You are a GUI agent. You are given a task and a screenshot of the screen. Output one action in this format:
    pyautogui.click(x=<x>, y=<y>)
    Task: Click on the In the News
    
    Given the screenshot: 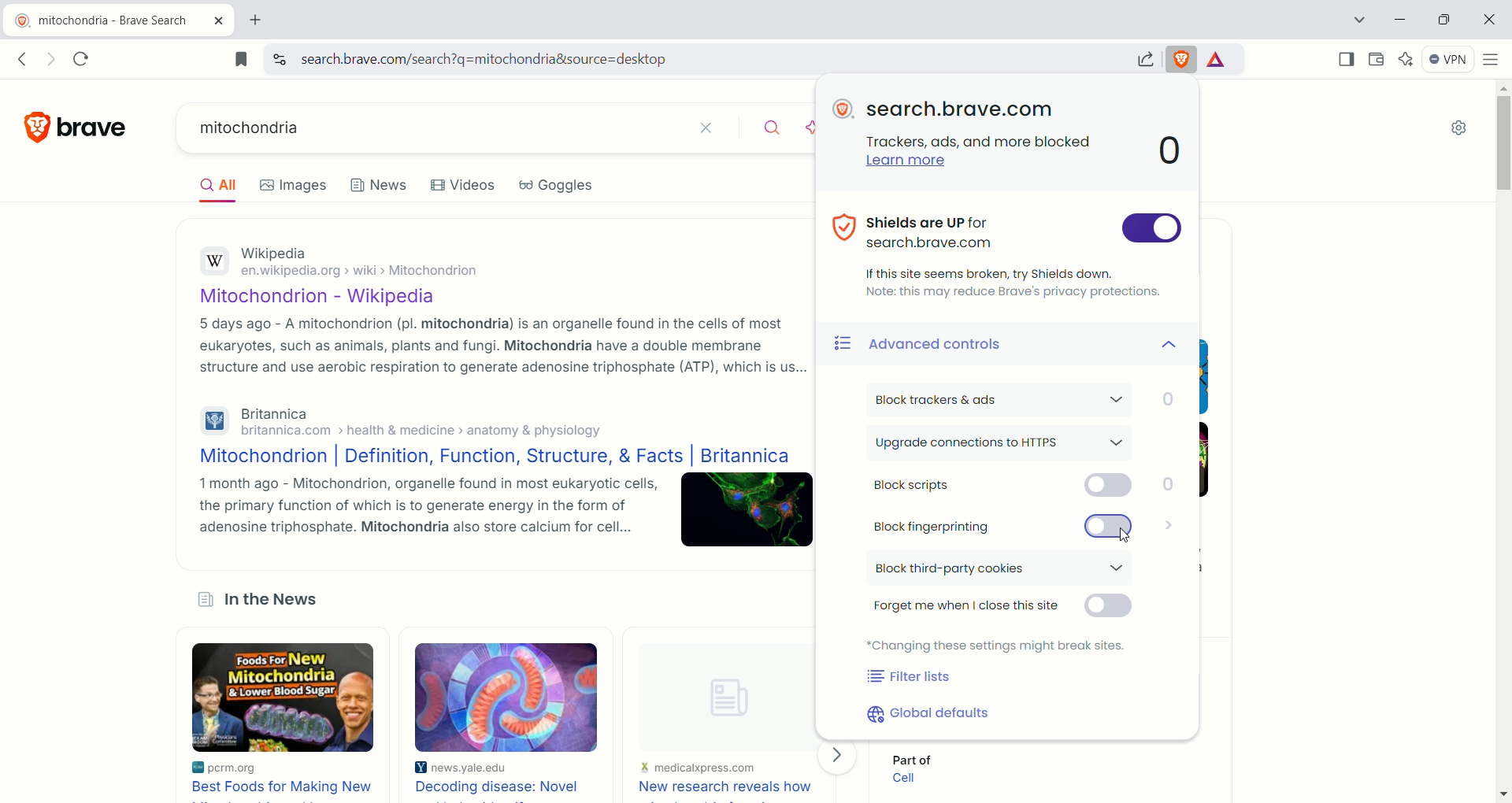 What is the action you would take?
    pyautogui.click(x=272, y=601)
    